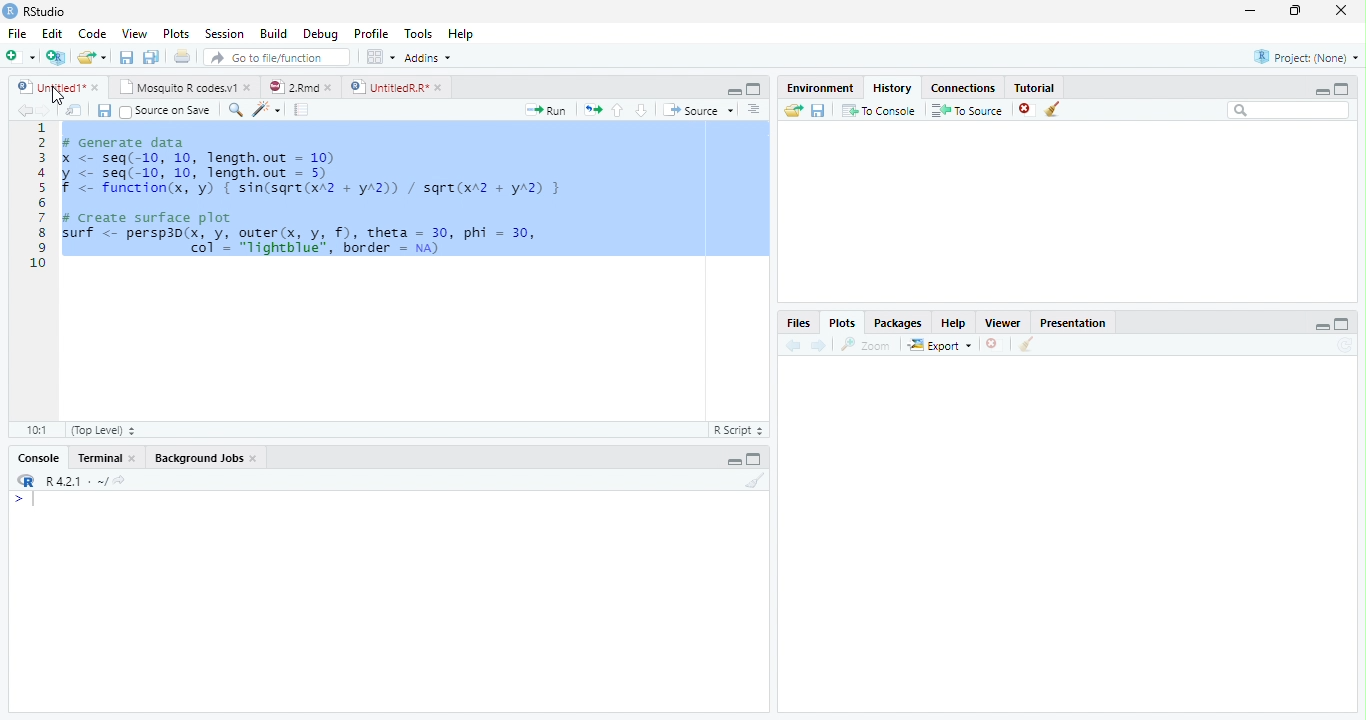 The width and height of the screenshot is (1366, 720). Describe the element at coordinates (57, 96) in the screenshot. I see `cursor` at that location.